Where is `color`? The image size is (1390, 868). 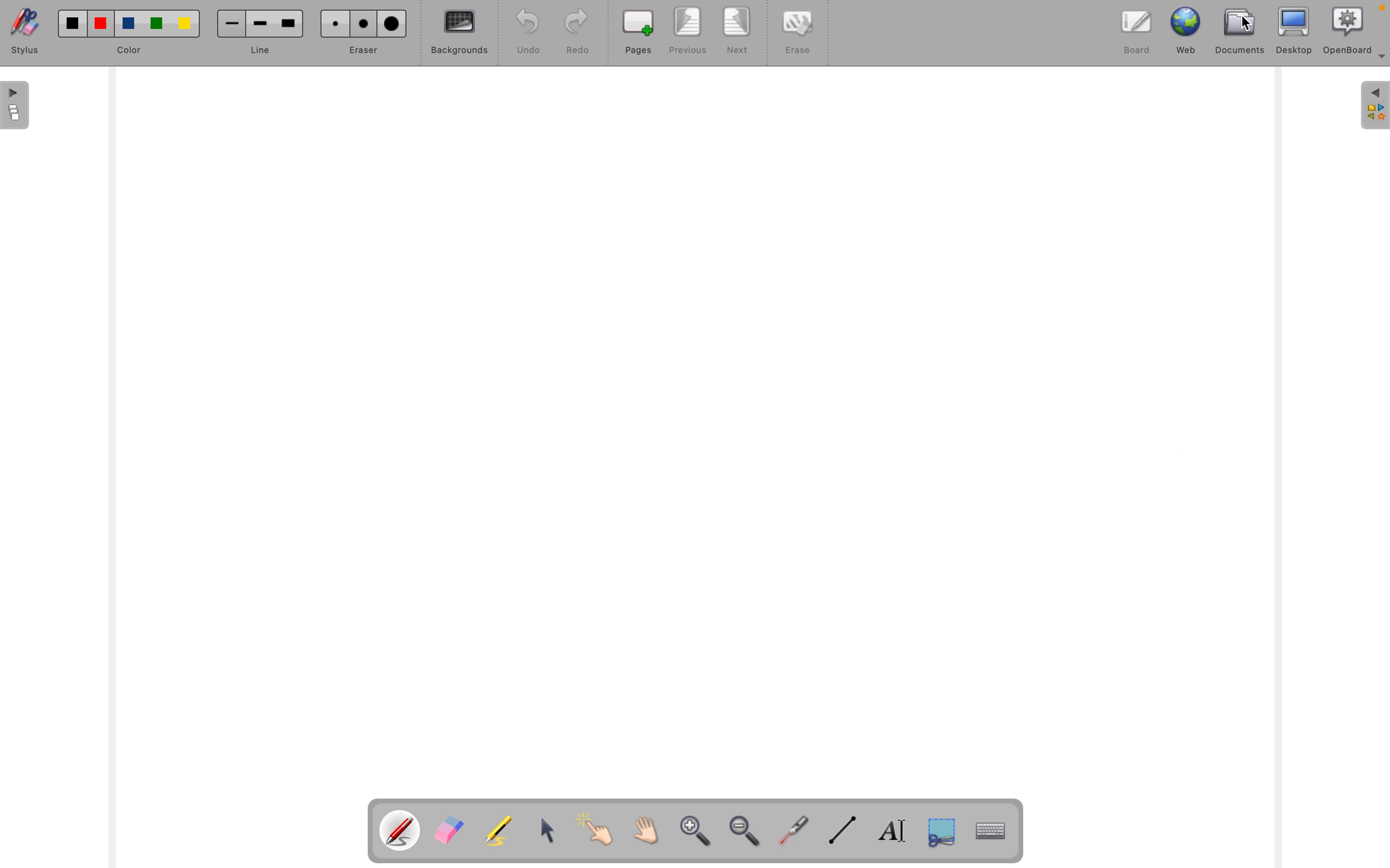
color is located at coordinates (123, 36).